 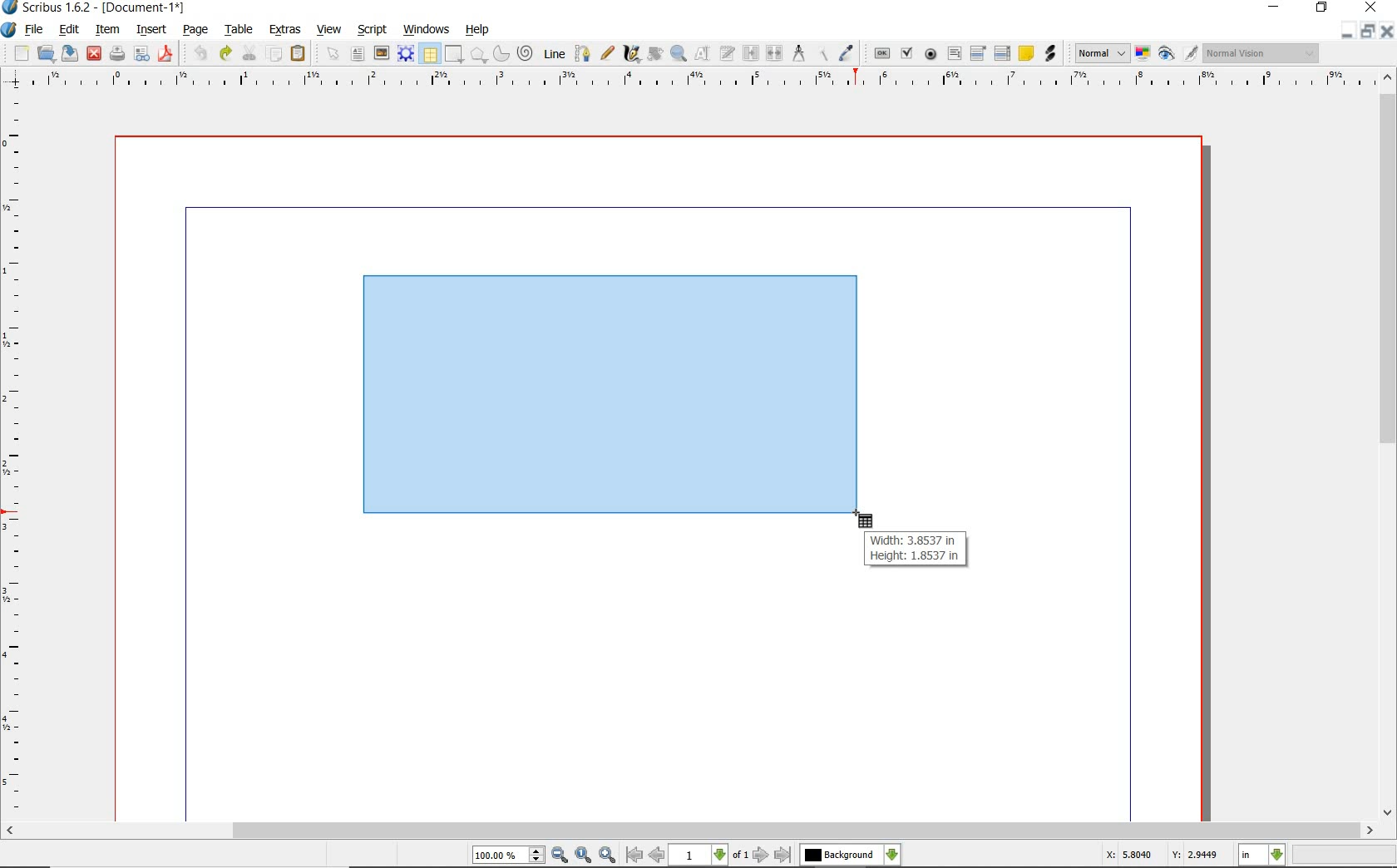 What do you see at coordinates (141, 55) in the screenshot?
I see `preflight verifier` at bounding box center [141, 55].